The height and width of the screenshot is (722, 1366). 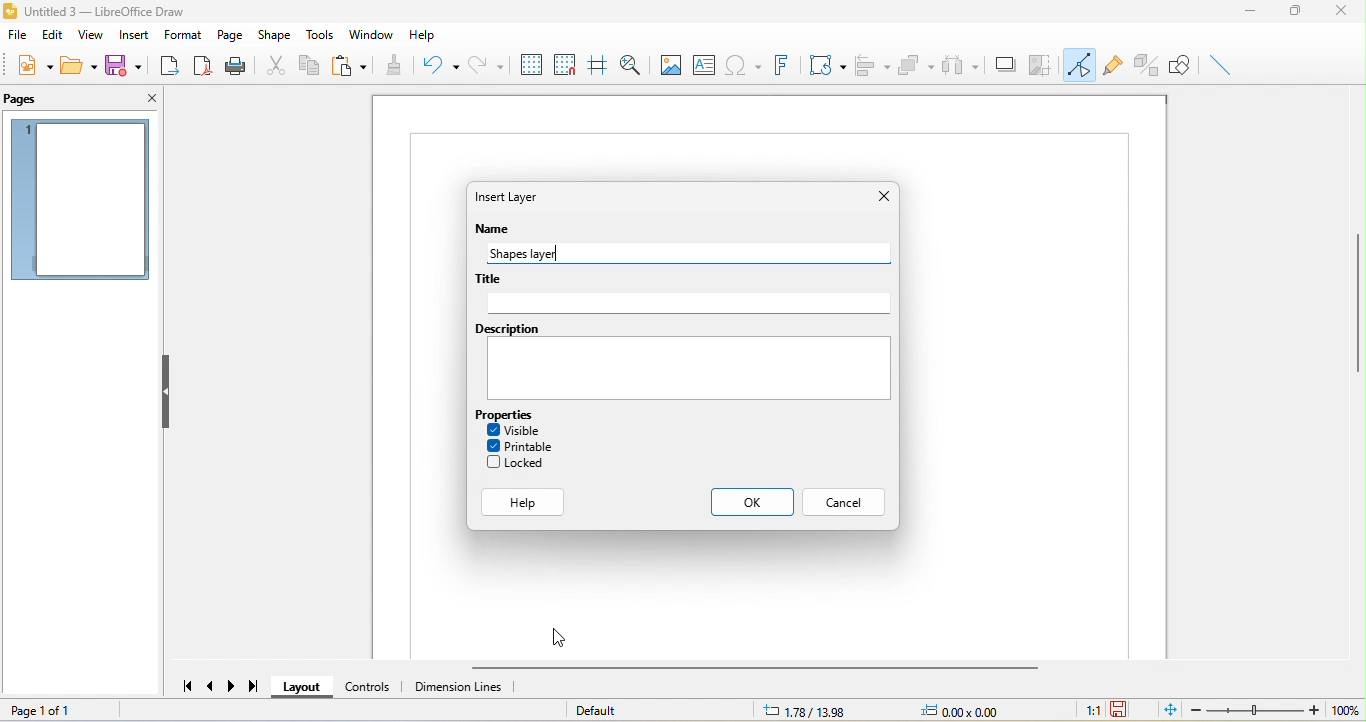 What do you see at coordinates (917, 64) in the screenshot?
I see `arrange` at bounding box center [917, 64].